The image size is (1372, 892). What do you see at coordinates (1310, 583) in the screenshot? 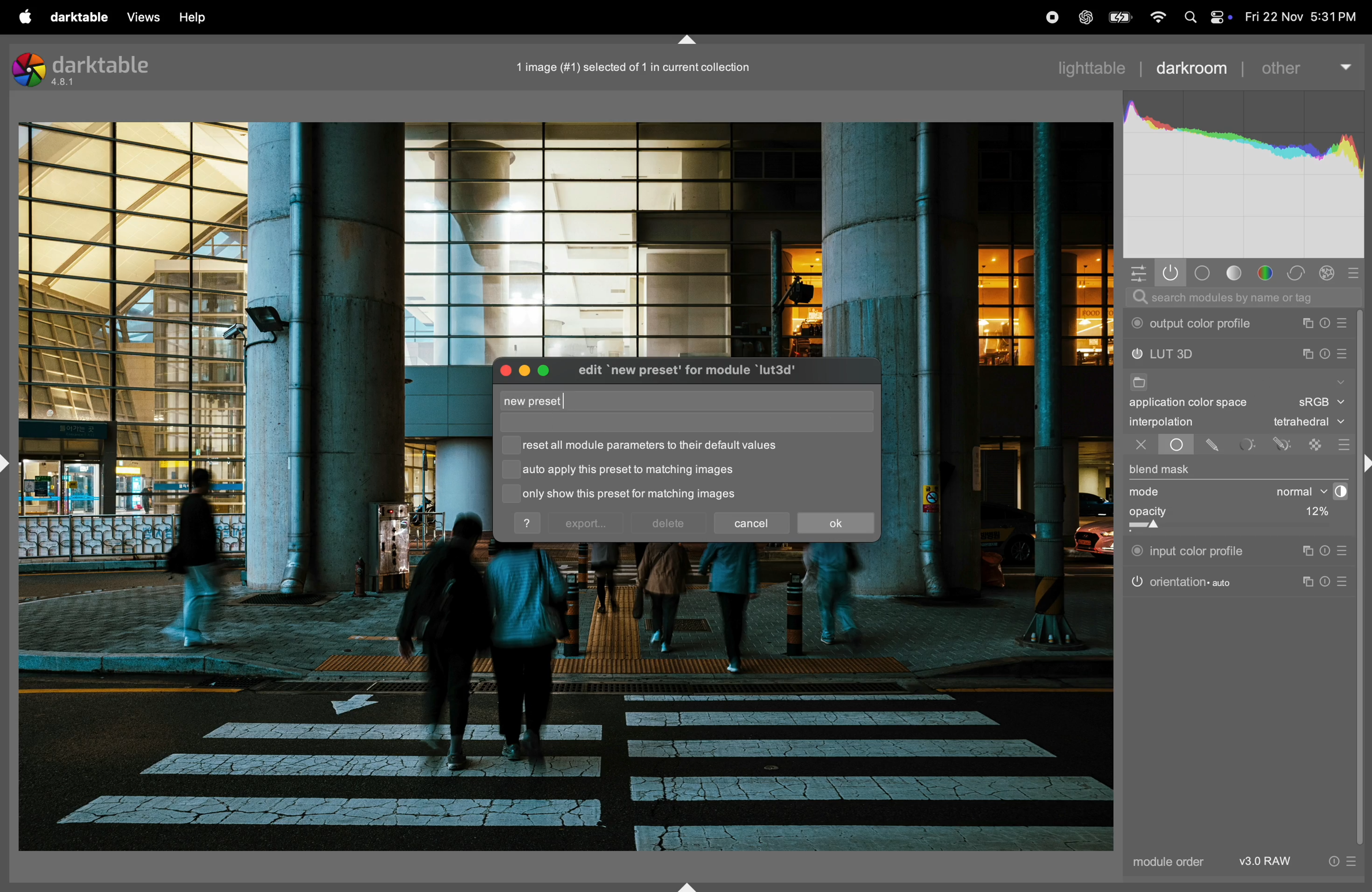
I see `instance` at bounding box center [1310, 583].